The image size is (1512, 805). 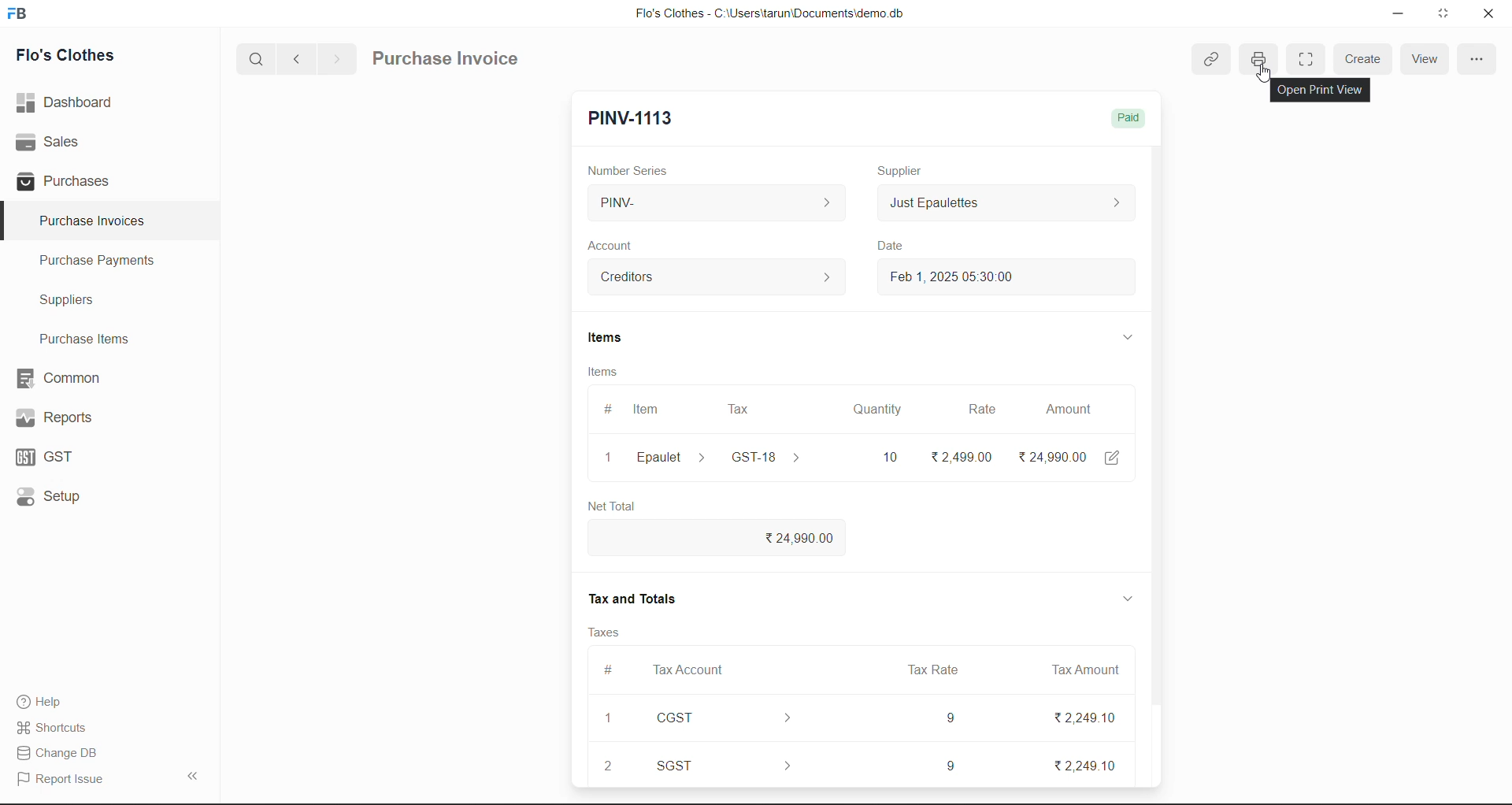 What do you see at coordinates (643, 169) in the screenshot?
I see `Number Series` at bounding box center [643, 169].